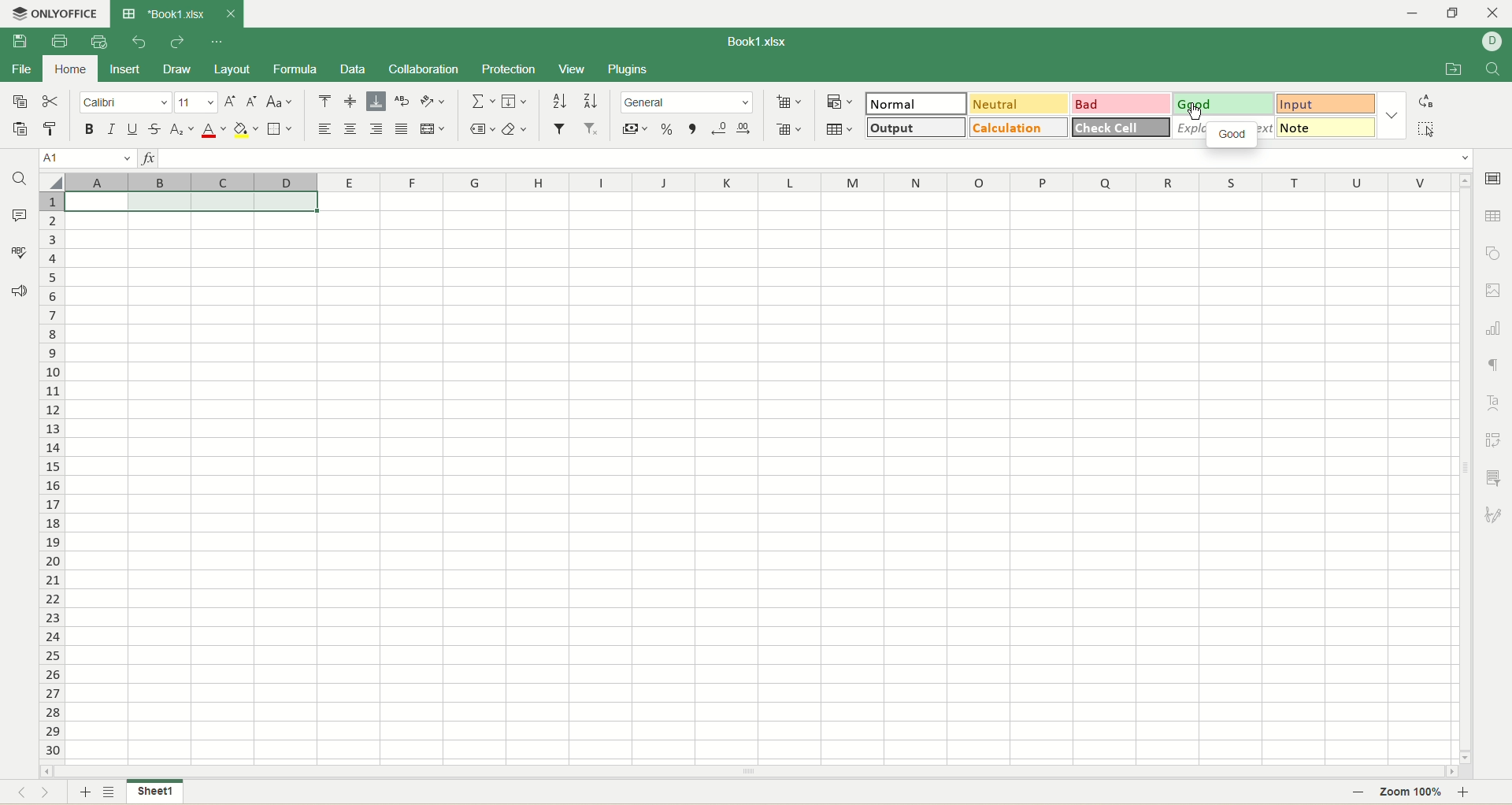  What do you see at coordinates (750, 772) in the screenshot?
I see `horizontal scroll bar` at bounding box center [750, 772].